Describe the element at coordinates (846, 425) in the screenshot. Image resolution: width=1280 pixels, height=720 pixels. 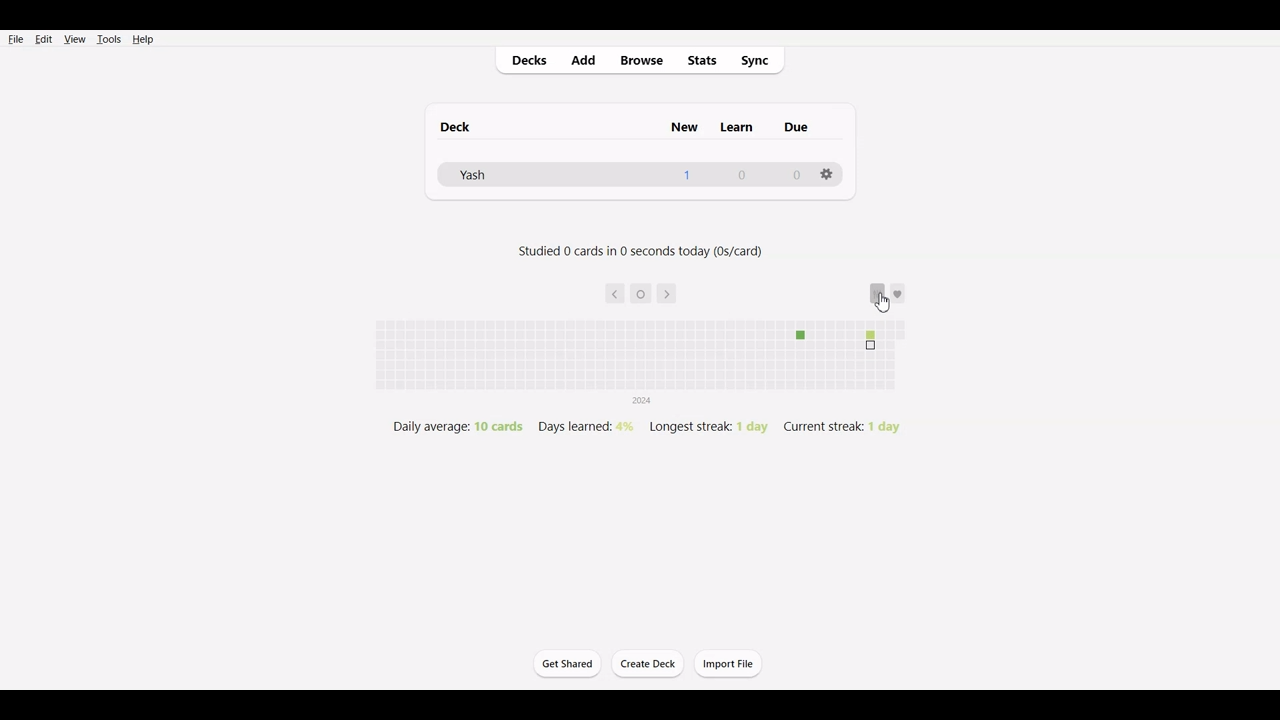
I see `Current streak: 1 day` at that location.